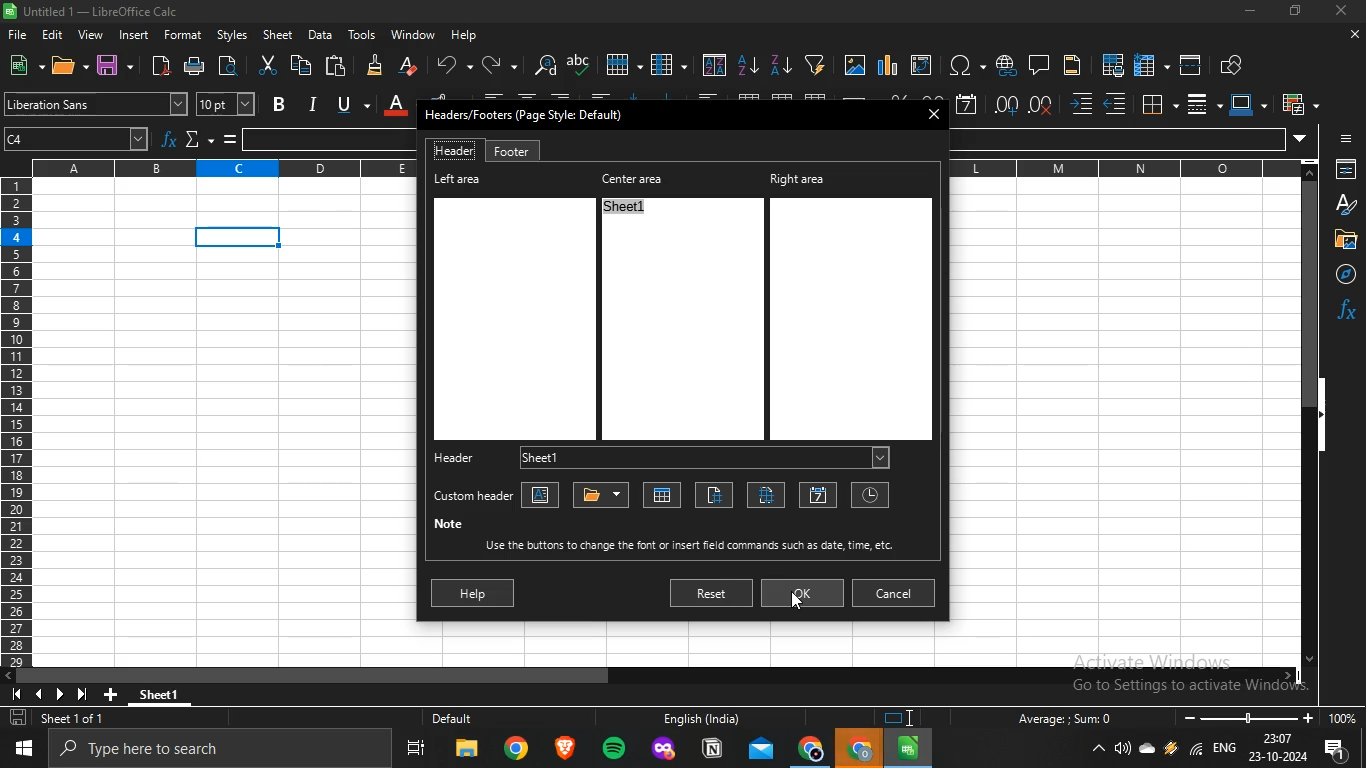 Image resolution: width=1366 pixels, height=768 pixels. I want to click on insert hyperlink, so click(1005, 65).